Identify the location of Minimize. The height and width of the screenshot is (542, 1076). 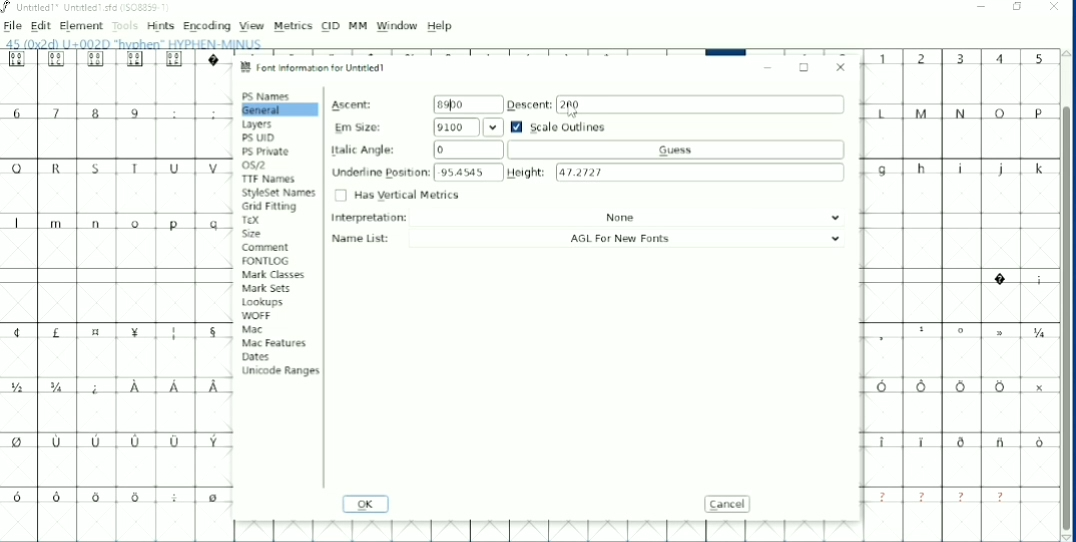
(983, 8).